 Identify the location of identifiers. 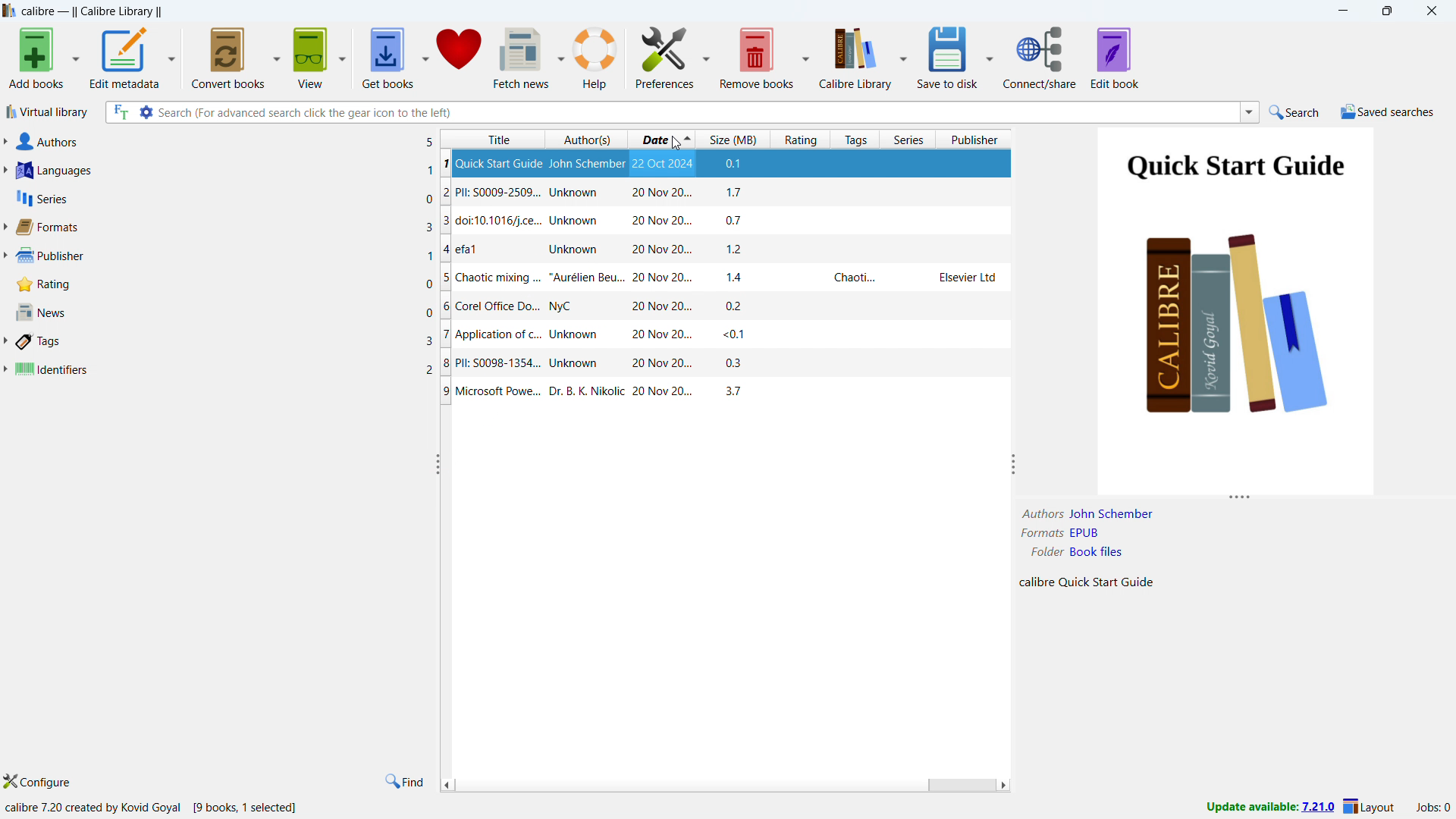
(224, 370).